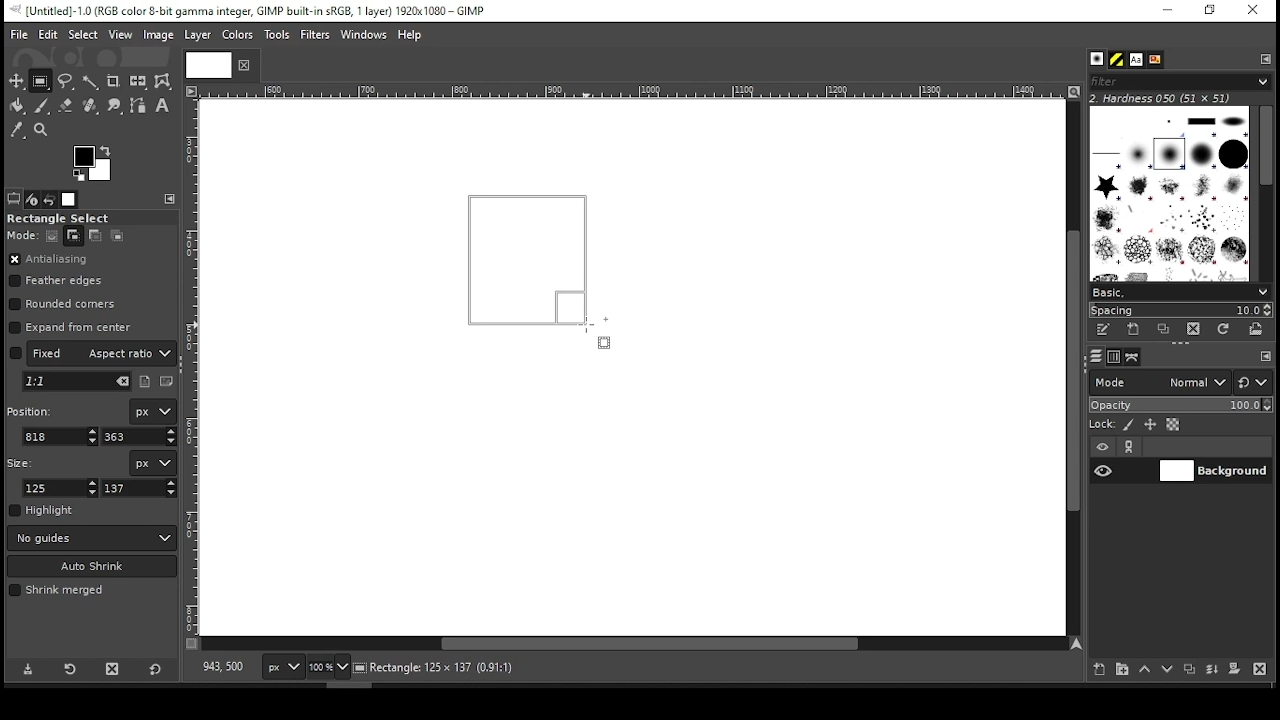 Image resolution: width=1280 pixels, height=720 pixels. What do you see at coordinates (61, 436) in the screenshot?
I see `x` at bounding box center [61, 436].